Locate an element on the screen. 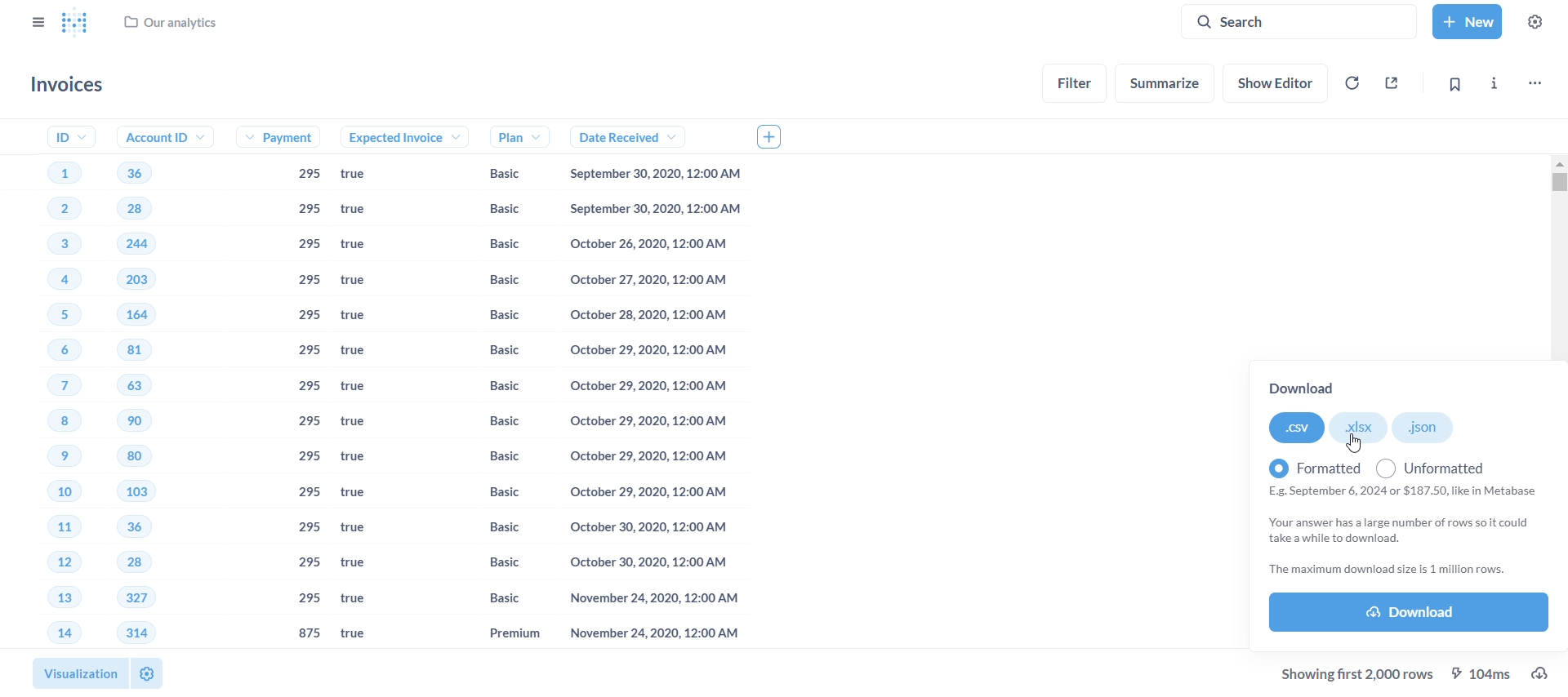  download is located at coordinates (1409, 614).